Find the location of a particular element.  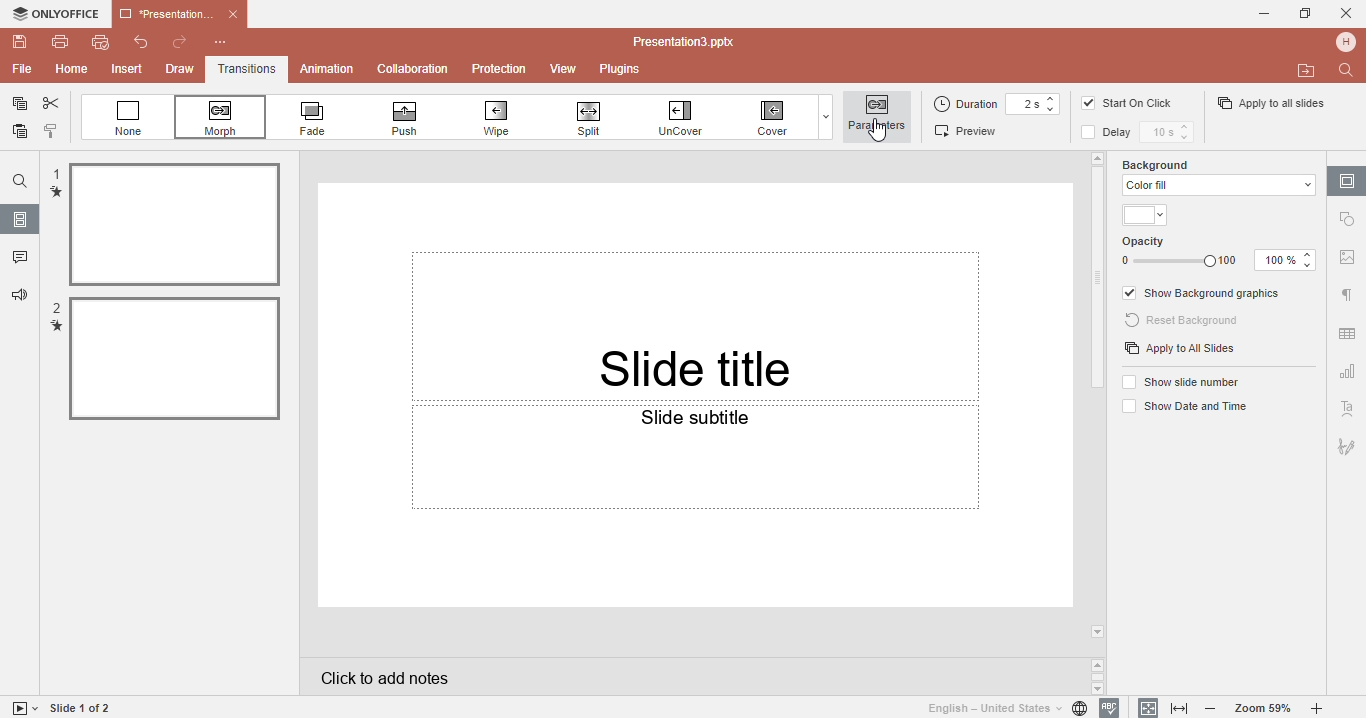

Dropdown is located at coordinates (823, 117).